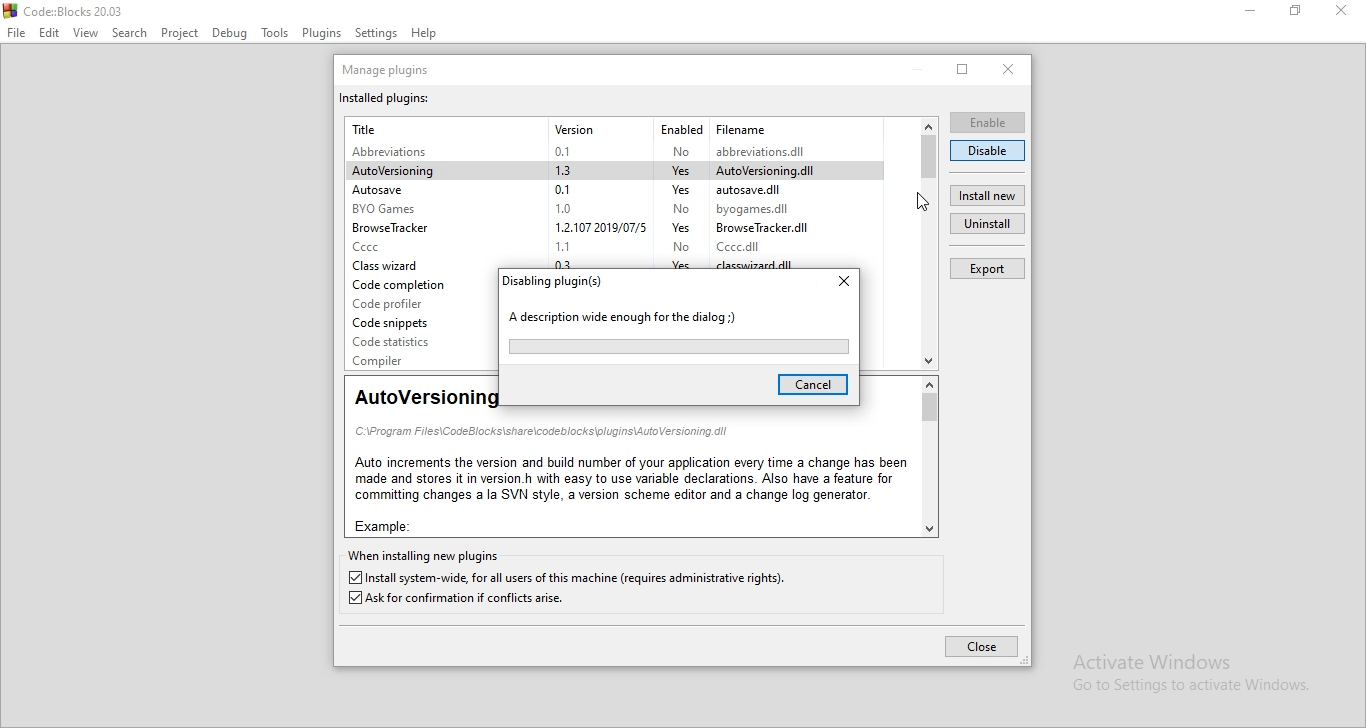 This screenshot has height=728, width=1366. I want to click on Search, so click(128, 34).